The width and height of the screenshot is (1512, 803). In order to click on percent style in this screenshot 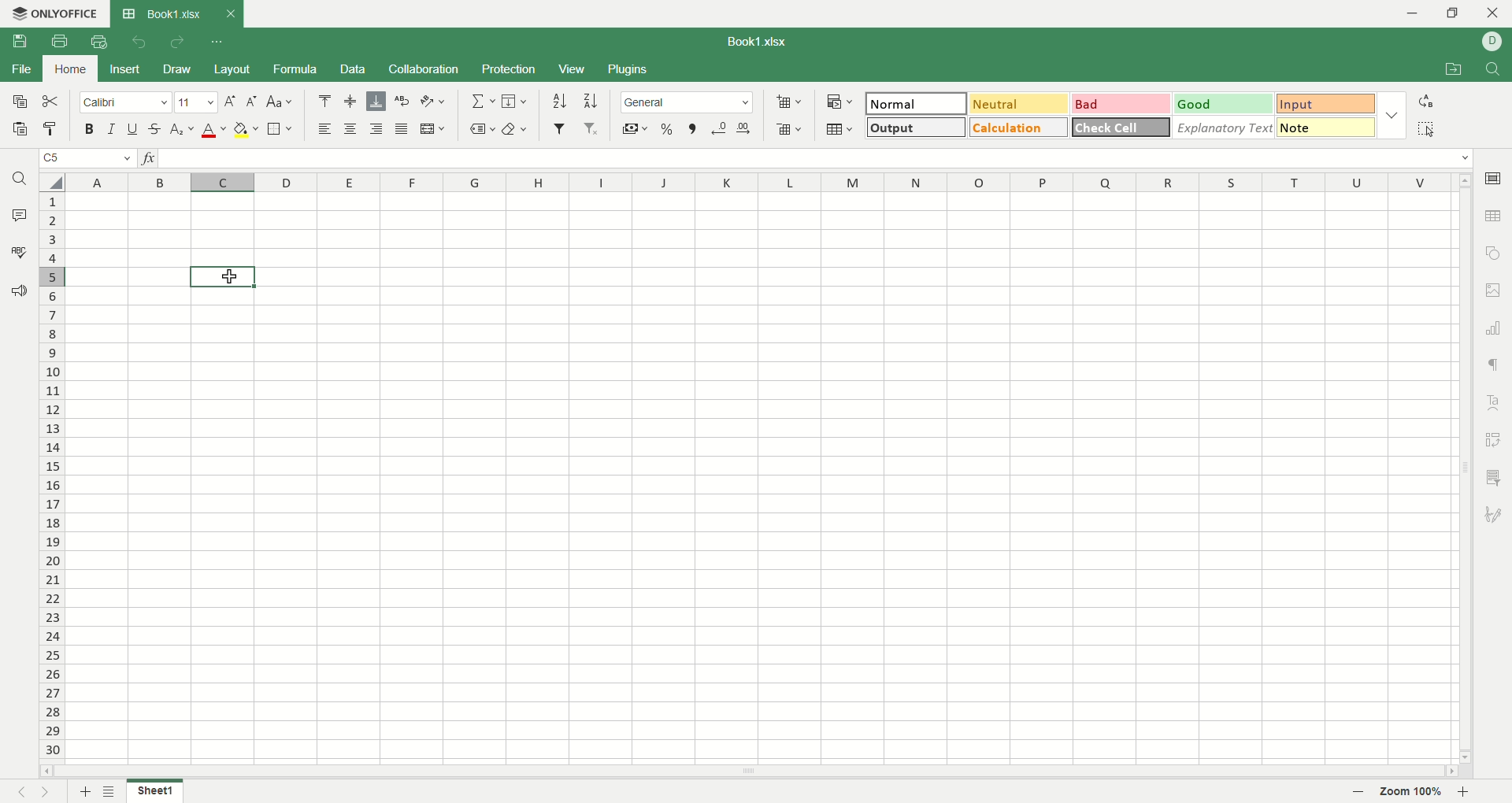, I will do `click(668, 128)`.